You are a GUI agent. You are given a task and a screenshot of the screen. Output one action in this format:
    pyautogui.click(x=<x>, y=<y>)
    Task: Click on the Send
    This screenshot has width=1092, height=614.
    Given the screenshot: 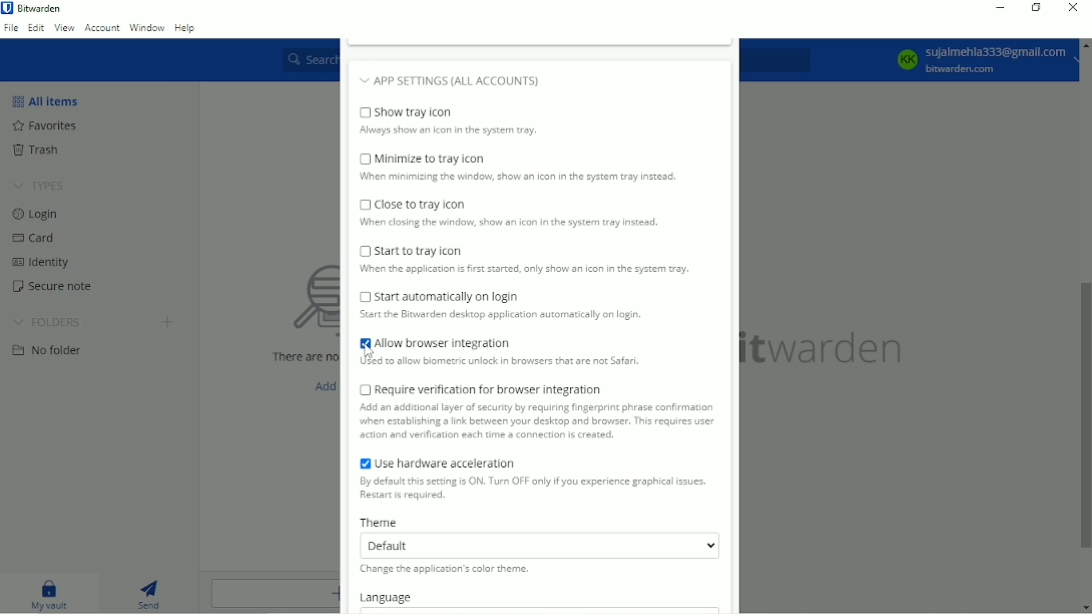 What is the action you would take?
    pyautogui.click(x=150, y=592)
    